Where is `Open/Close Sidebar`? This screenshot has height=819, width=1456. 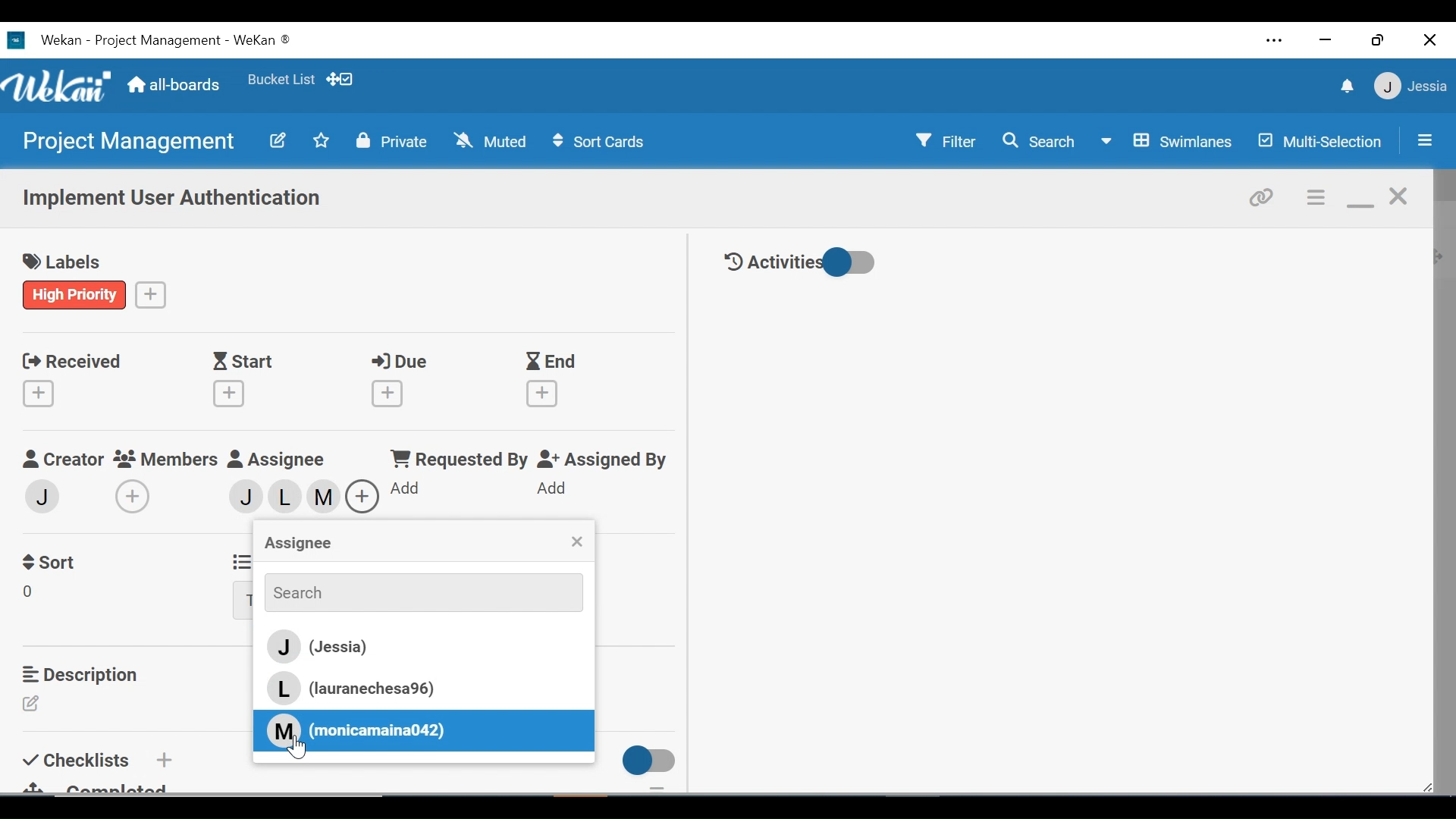 Open/Close Sidebar is located at coordinates (1423, 142).